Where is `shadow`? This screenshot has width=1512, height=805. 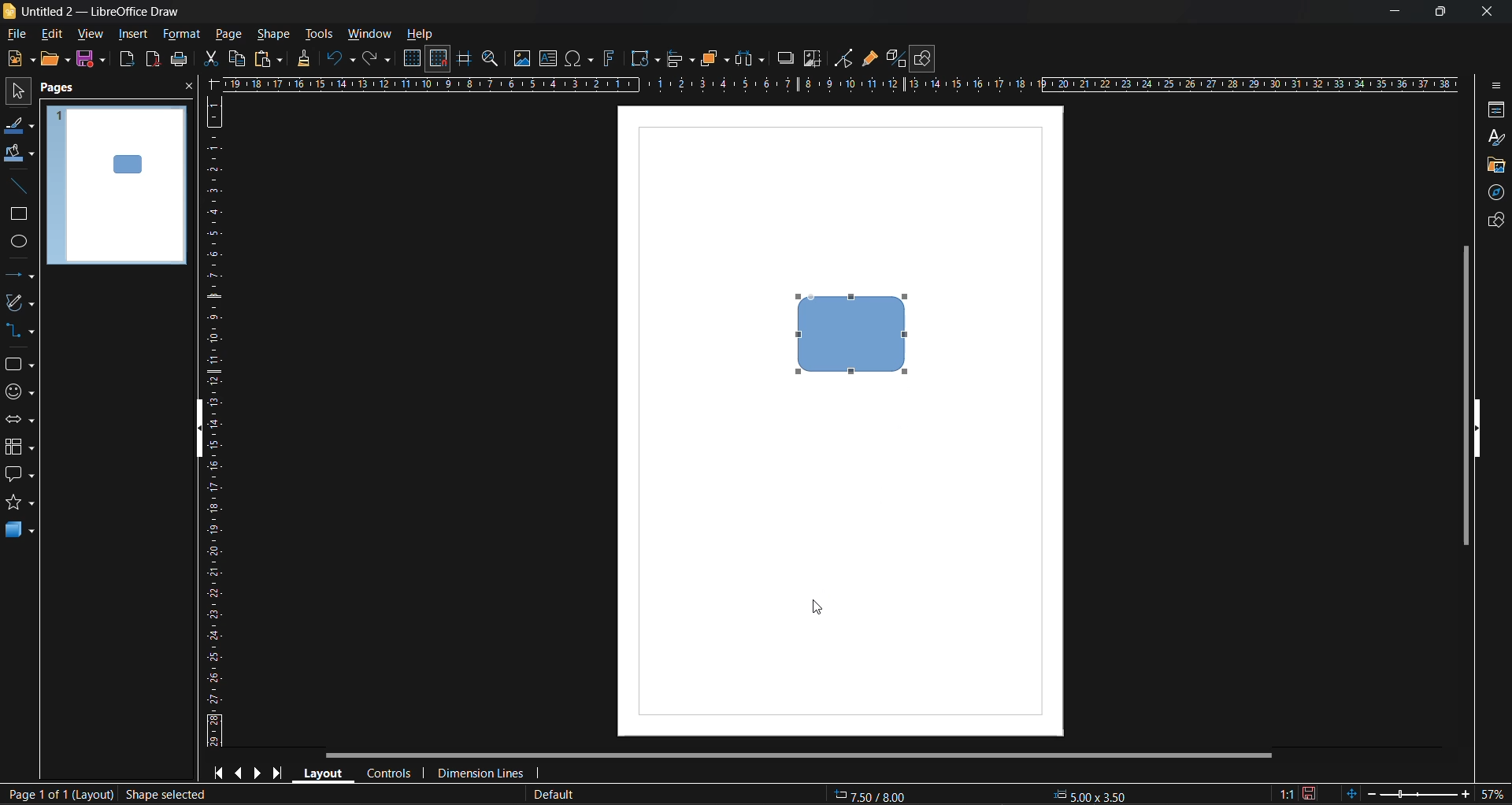 shadow is located at coordinates (787, 58).